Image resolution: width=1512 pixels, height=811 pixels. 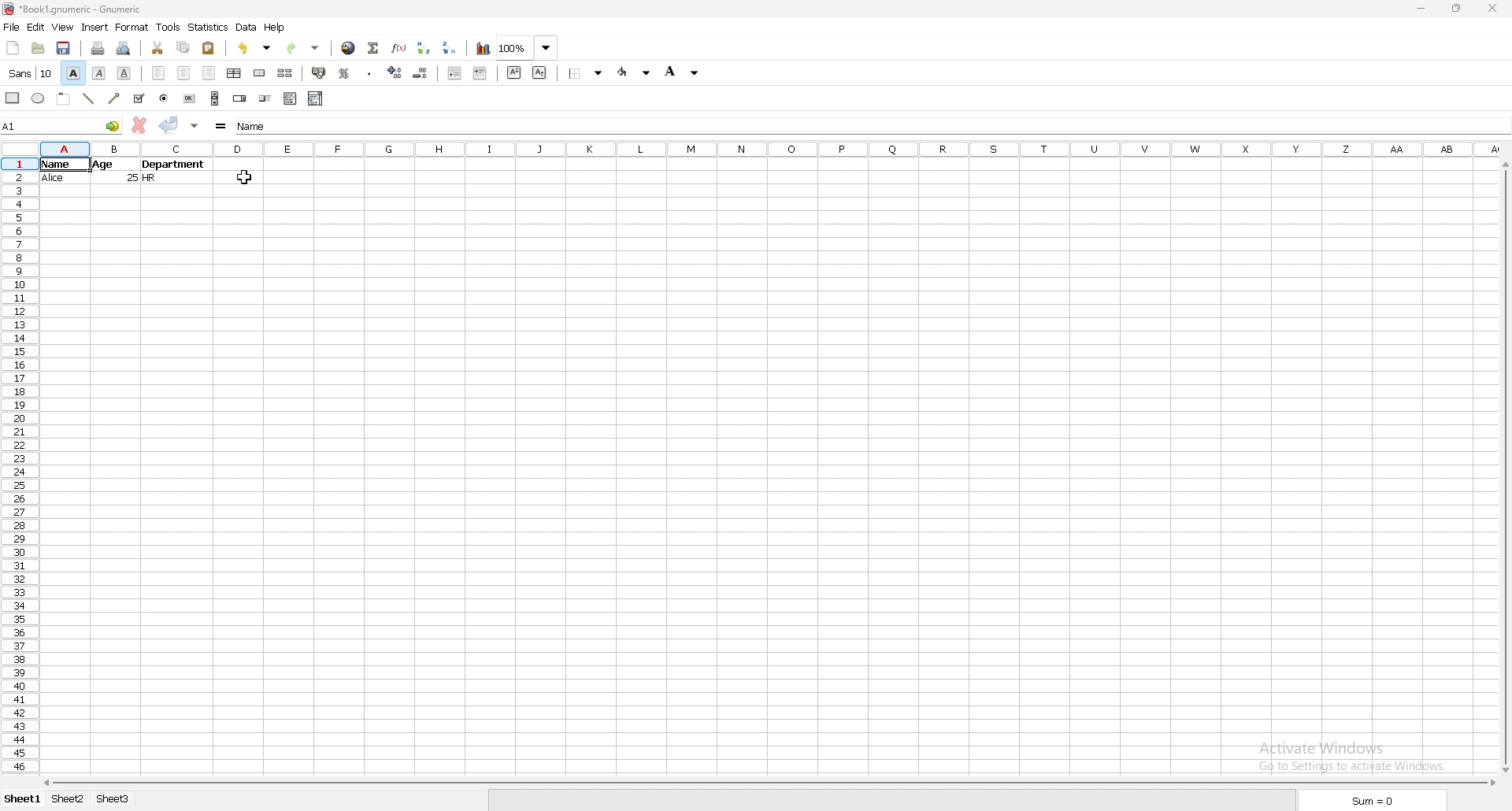 I want to click on close, so click(x=1492, y=9).